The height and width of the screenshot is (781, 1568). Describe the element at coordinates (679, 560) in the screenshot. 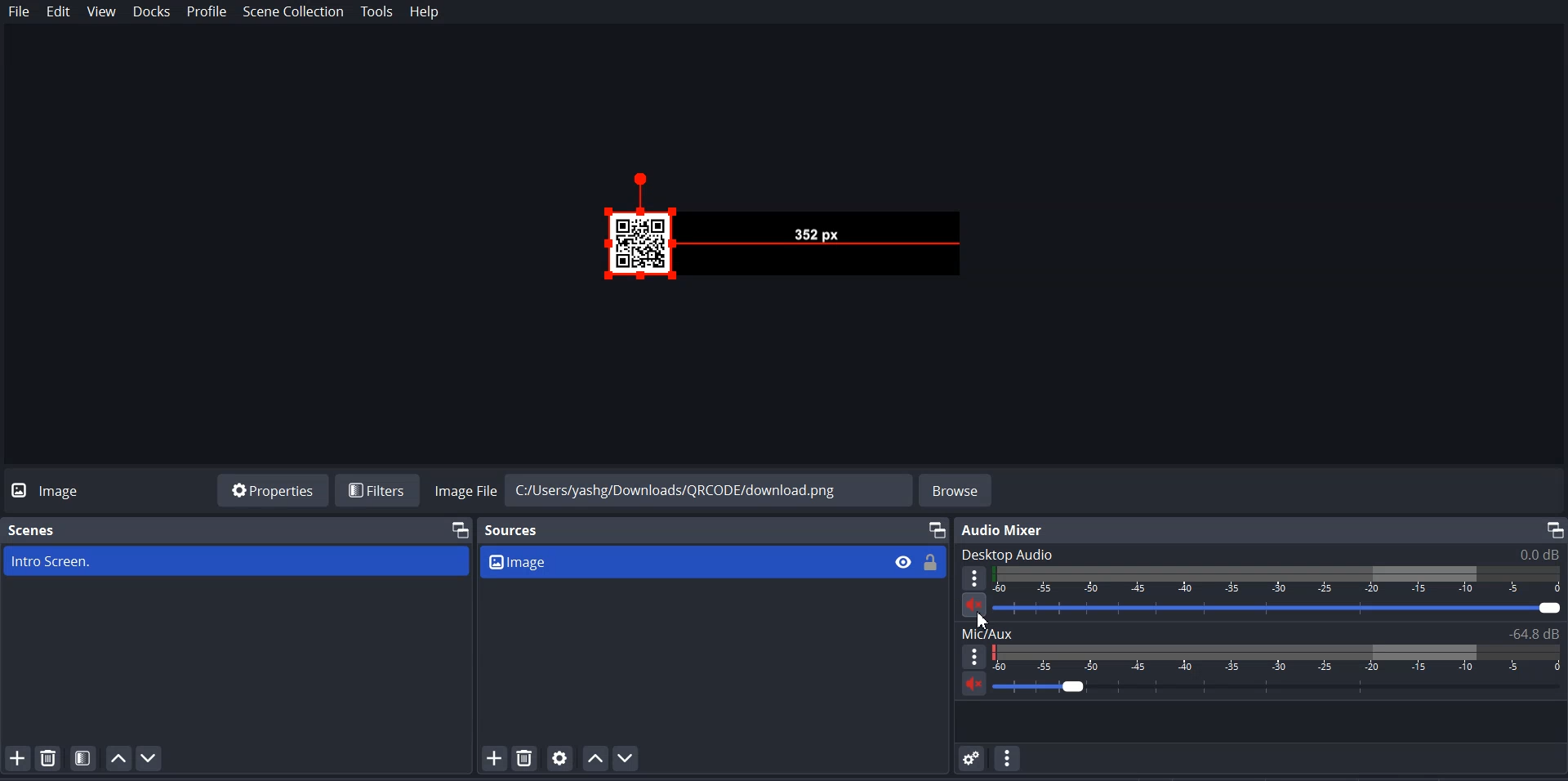

I see `Source file` at that location.